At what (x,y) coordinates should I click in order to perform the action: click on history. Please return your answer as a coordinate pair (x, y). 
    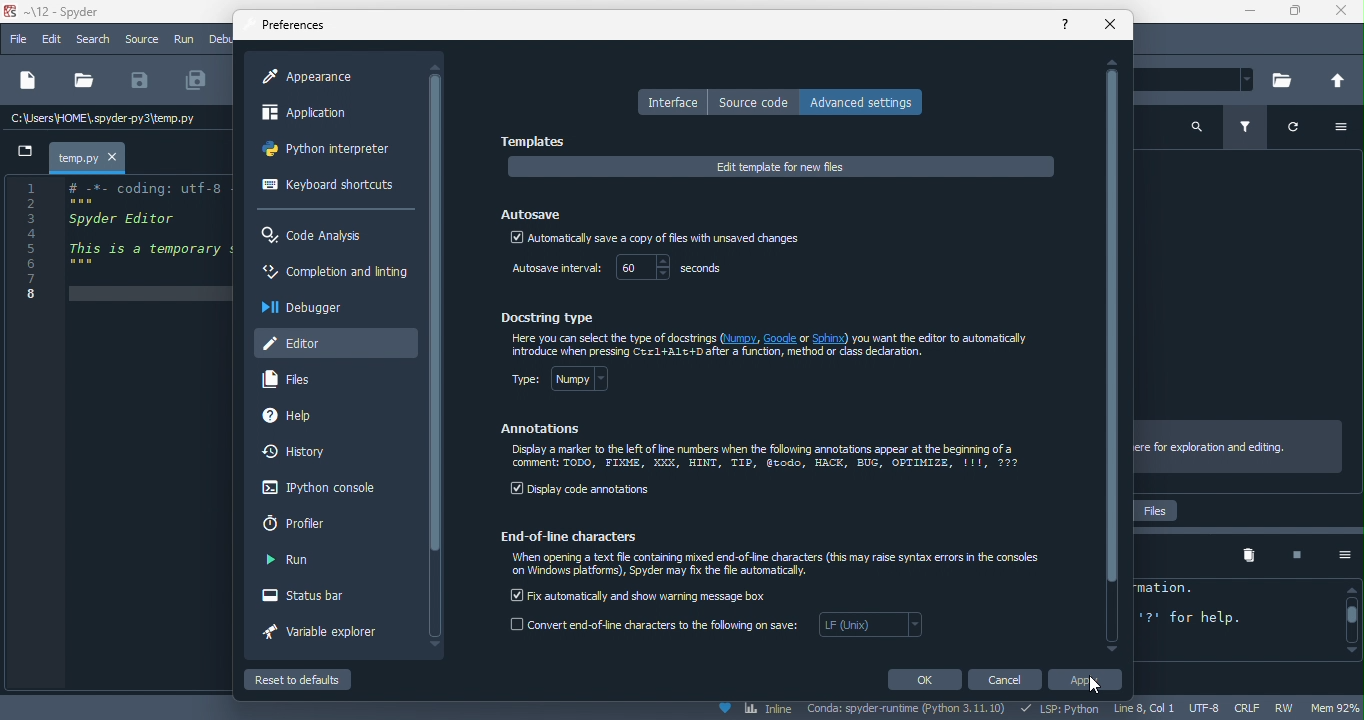
    Looking at the image, I should click on (301, 453).